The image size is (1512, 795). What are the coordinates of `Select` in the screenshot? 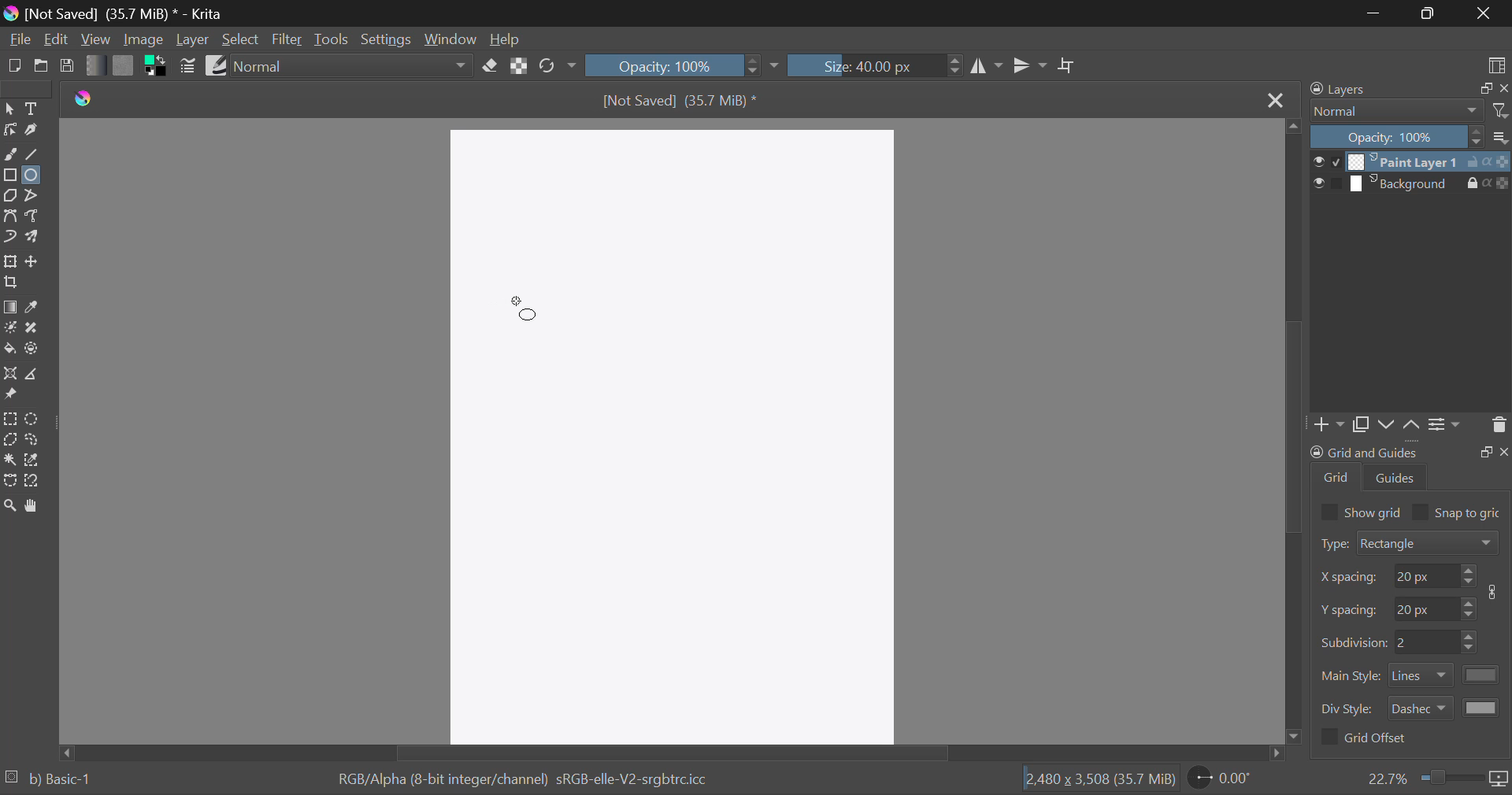 It's located at (10, 109).